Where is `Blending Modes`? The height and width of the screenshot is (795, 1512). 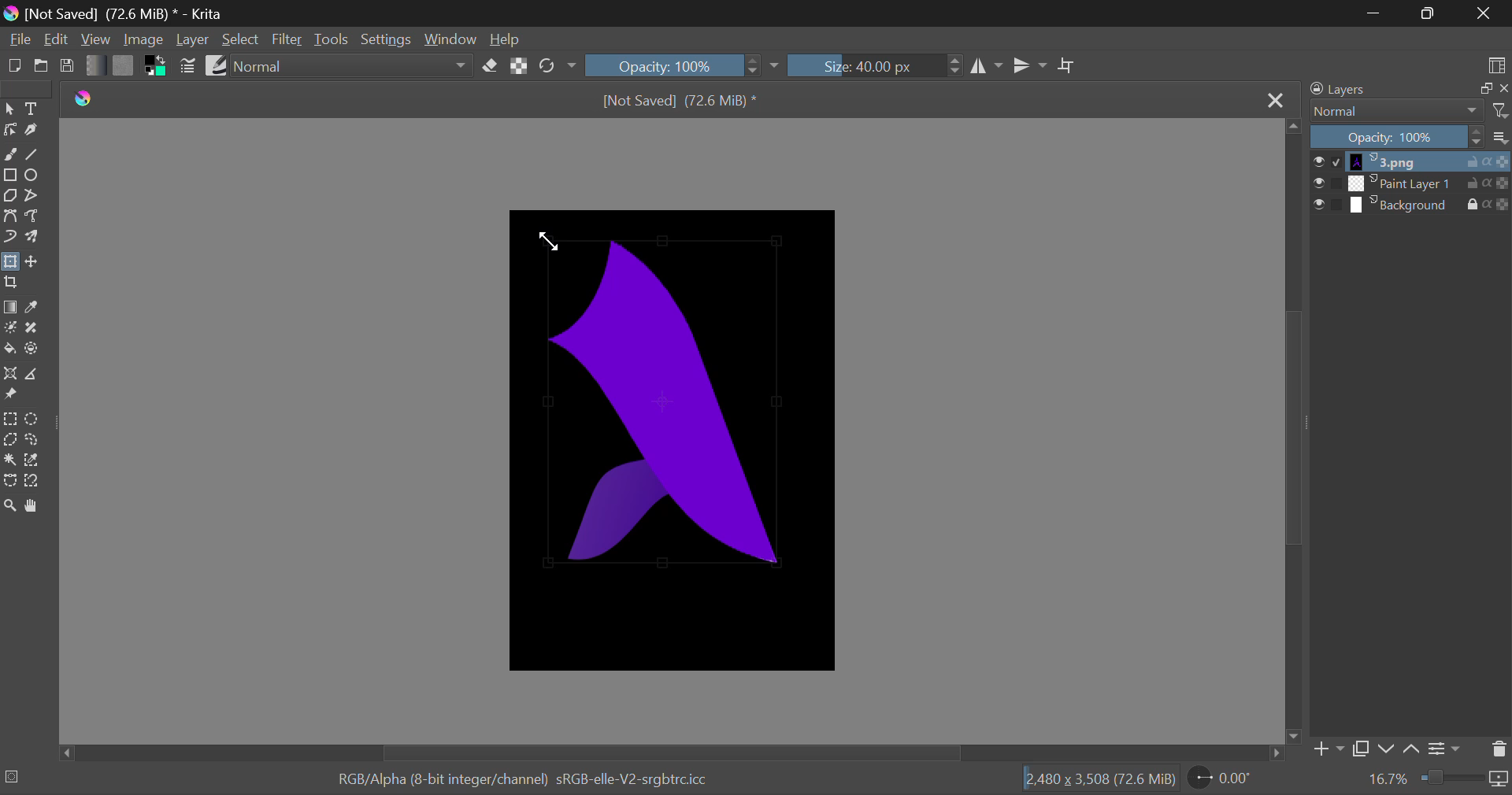
Blending Modes is located at coordinates (353, 65).